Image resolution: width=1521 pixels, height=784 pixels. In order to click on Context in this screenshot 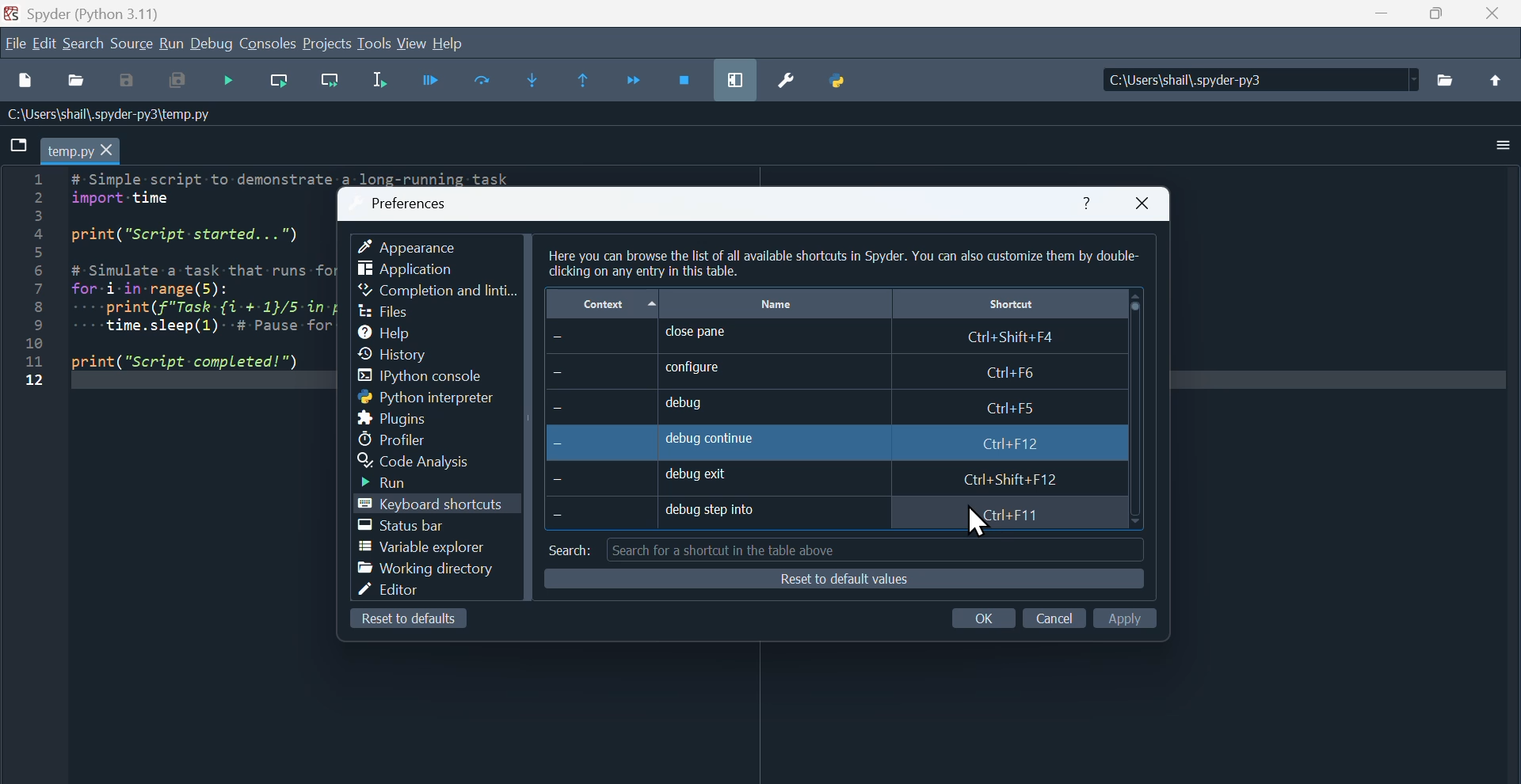, I will do `click(602, 303)`.